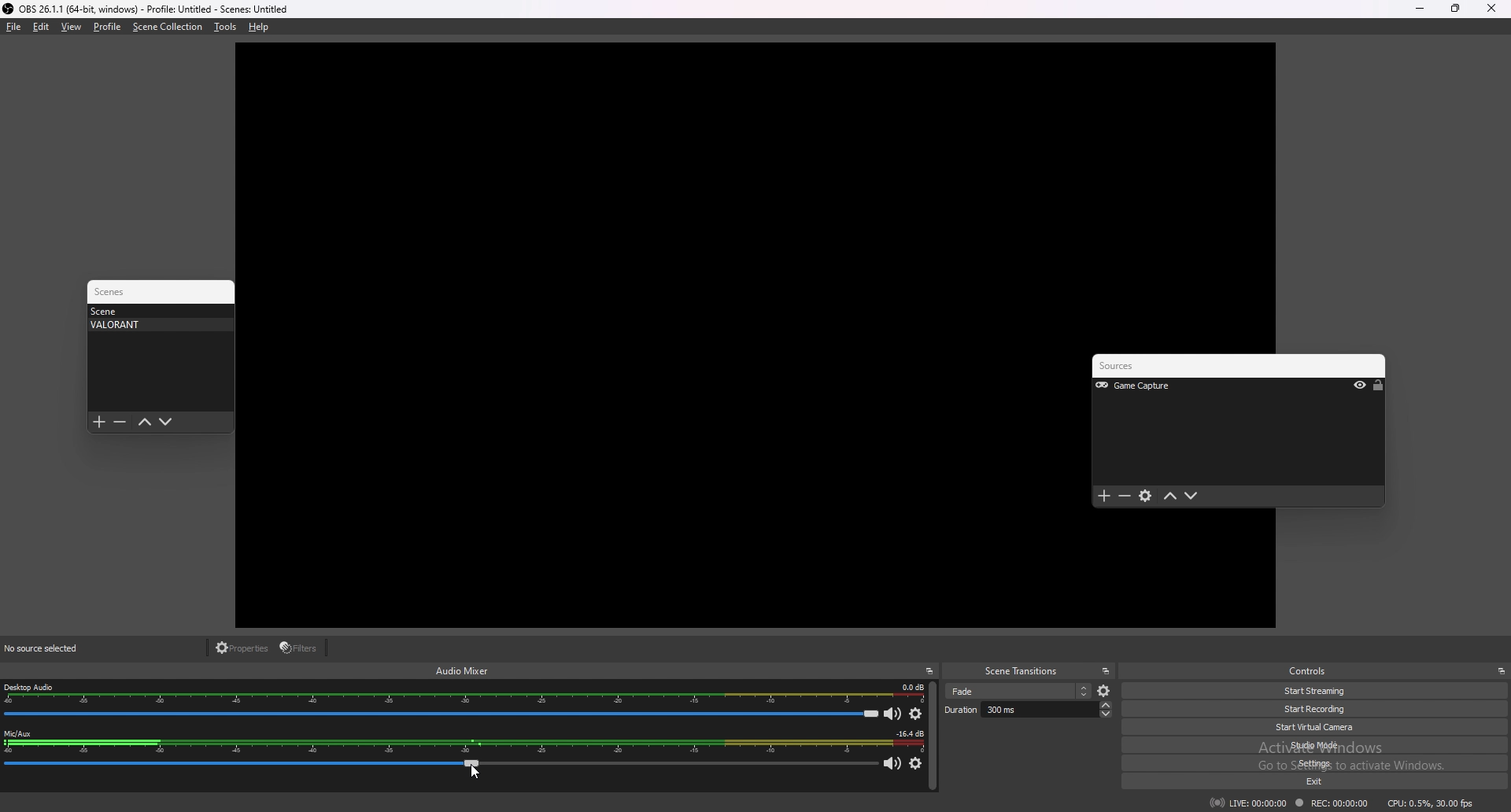  Describe the element at coordinates (1330, 804) in the screenshot. I see `rec 00:00:00` at that location.